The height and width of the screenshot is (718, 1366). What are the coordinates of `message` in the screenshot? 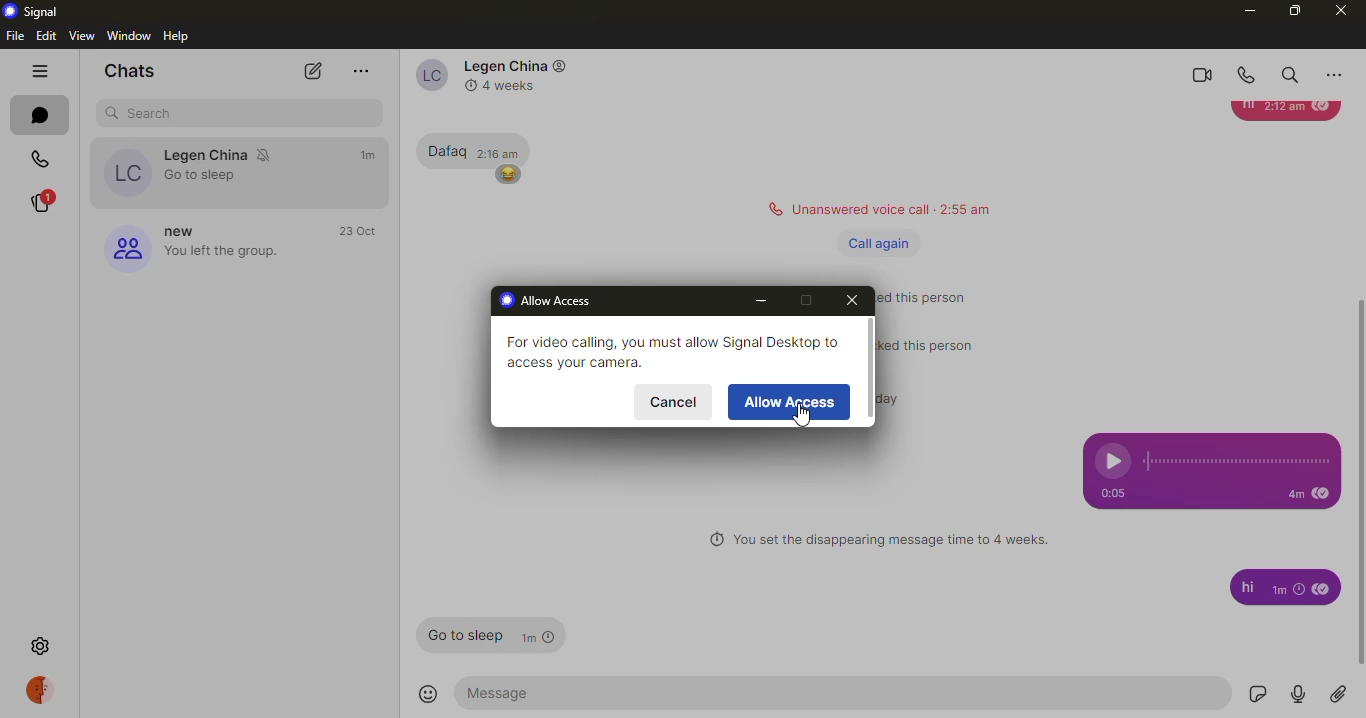 It's located at (529, 692).